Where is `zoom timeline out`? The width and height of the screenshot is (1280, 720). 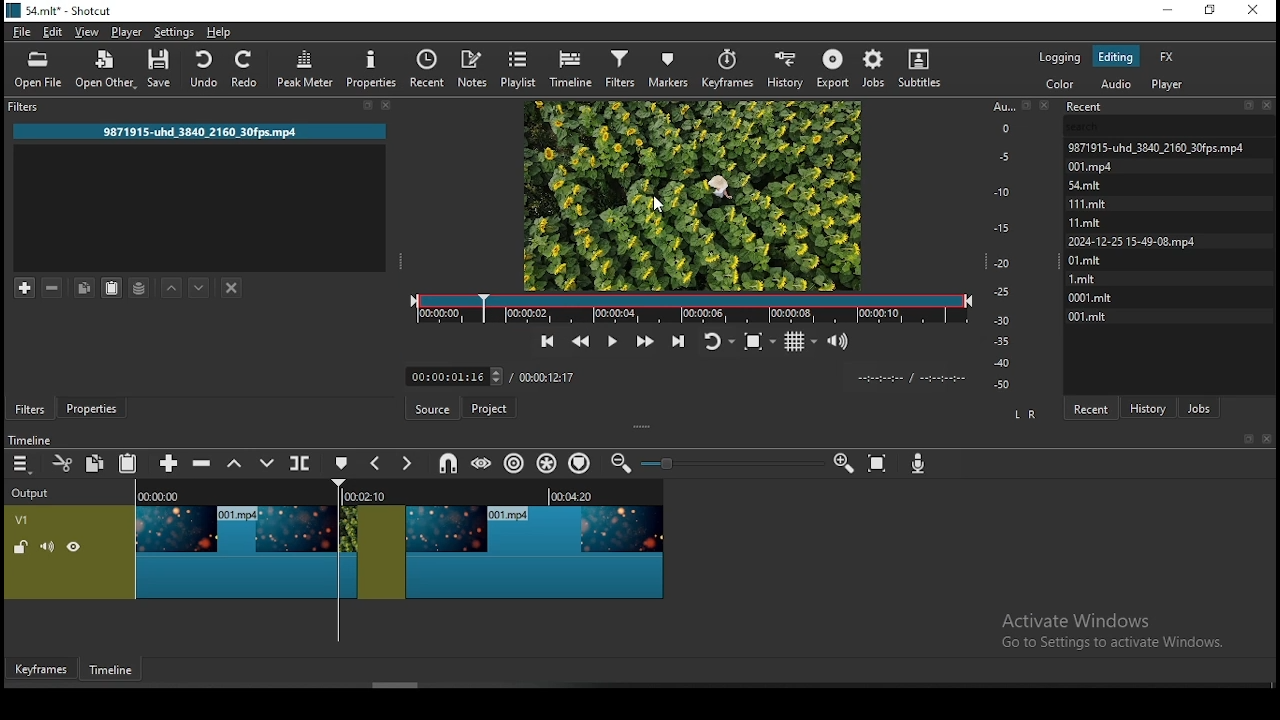 zoom timeline out is located at coordinates (842, 464).